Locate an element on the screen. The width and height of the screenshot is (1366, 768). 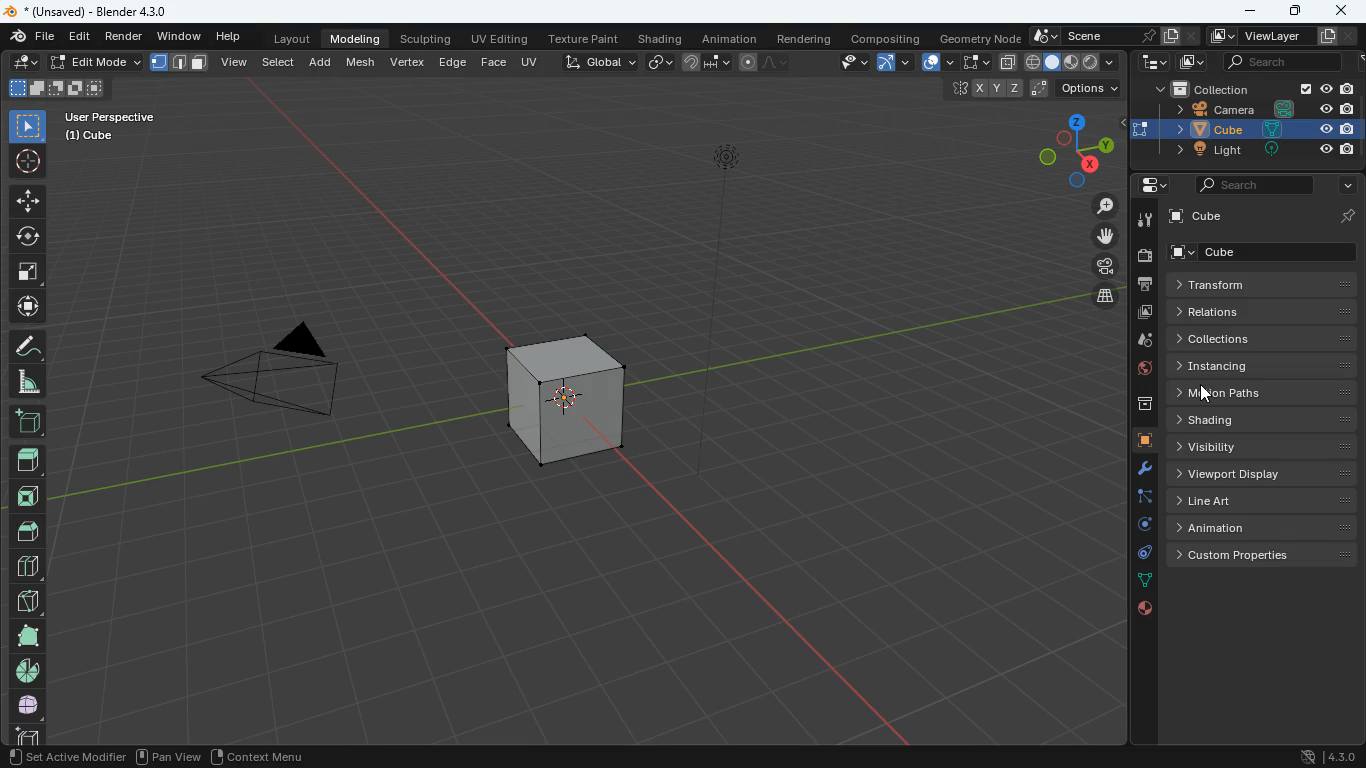
version is located at coordinates (1330, 758).